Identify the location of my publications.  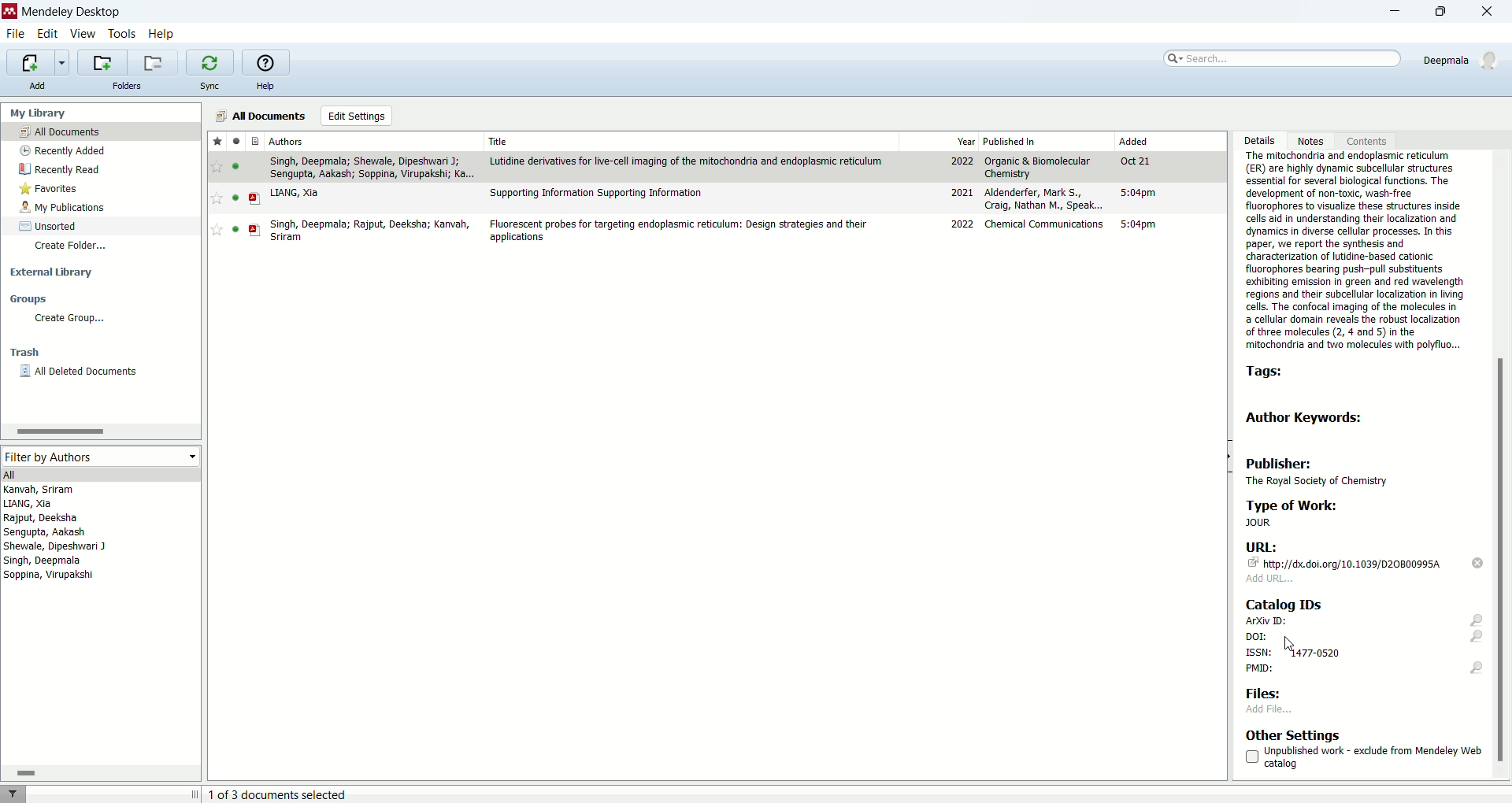
(64, 208).